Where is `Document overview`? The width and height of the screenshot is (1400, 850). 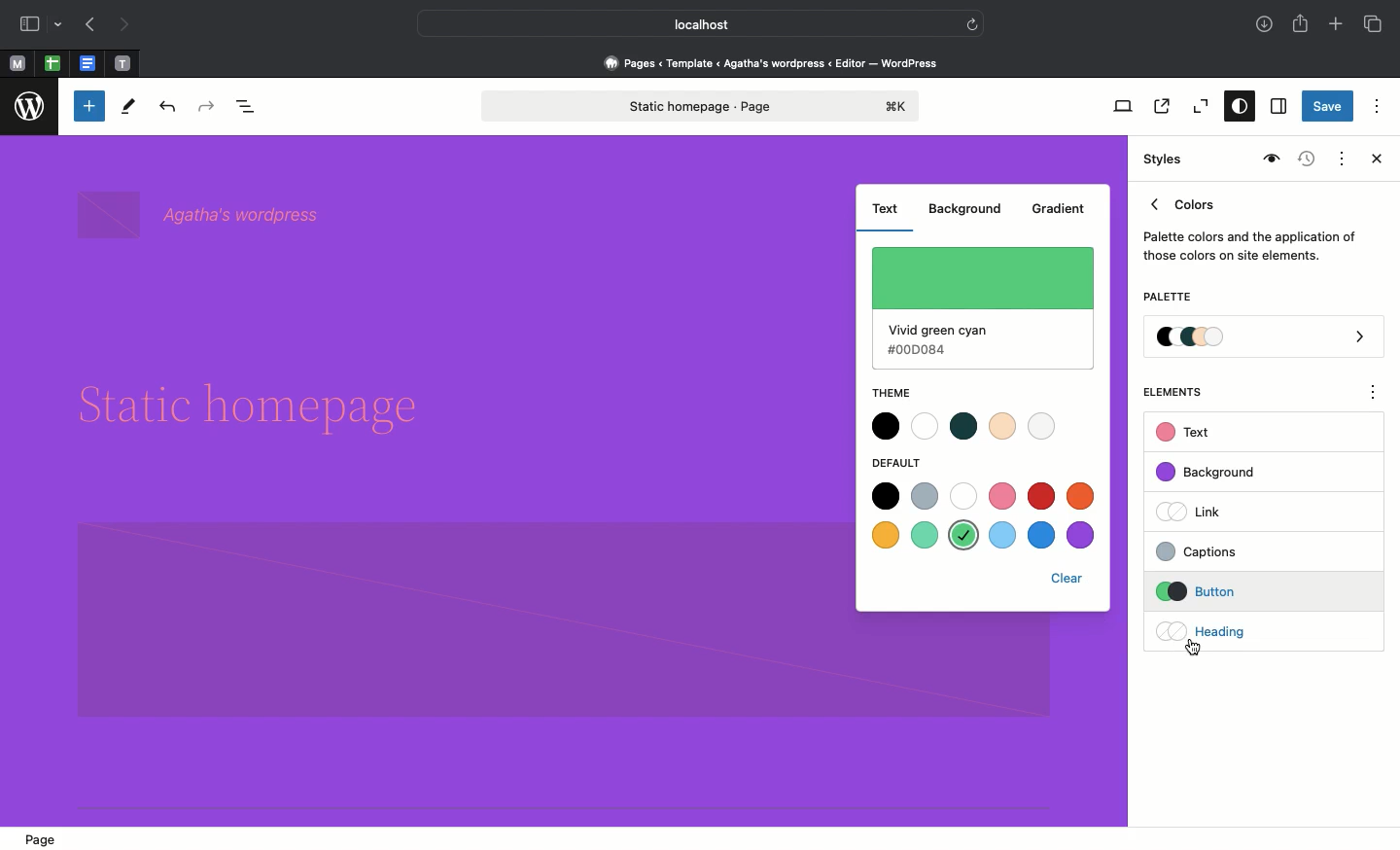 Document overview is located at coordinates (250, 108).